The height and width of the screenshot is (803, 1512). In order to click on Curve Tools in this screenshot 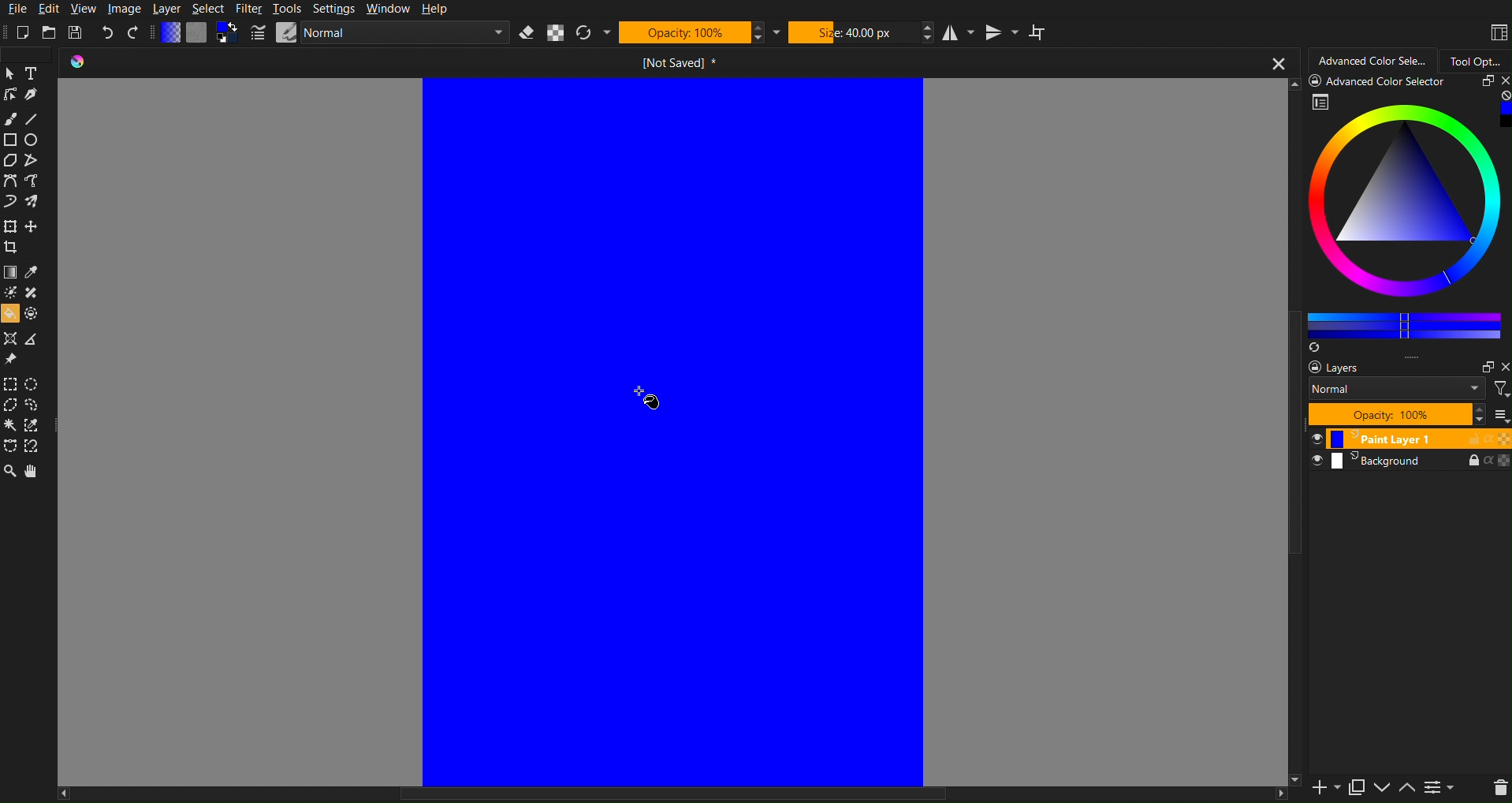, I will do `click(28, 195)`.